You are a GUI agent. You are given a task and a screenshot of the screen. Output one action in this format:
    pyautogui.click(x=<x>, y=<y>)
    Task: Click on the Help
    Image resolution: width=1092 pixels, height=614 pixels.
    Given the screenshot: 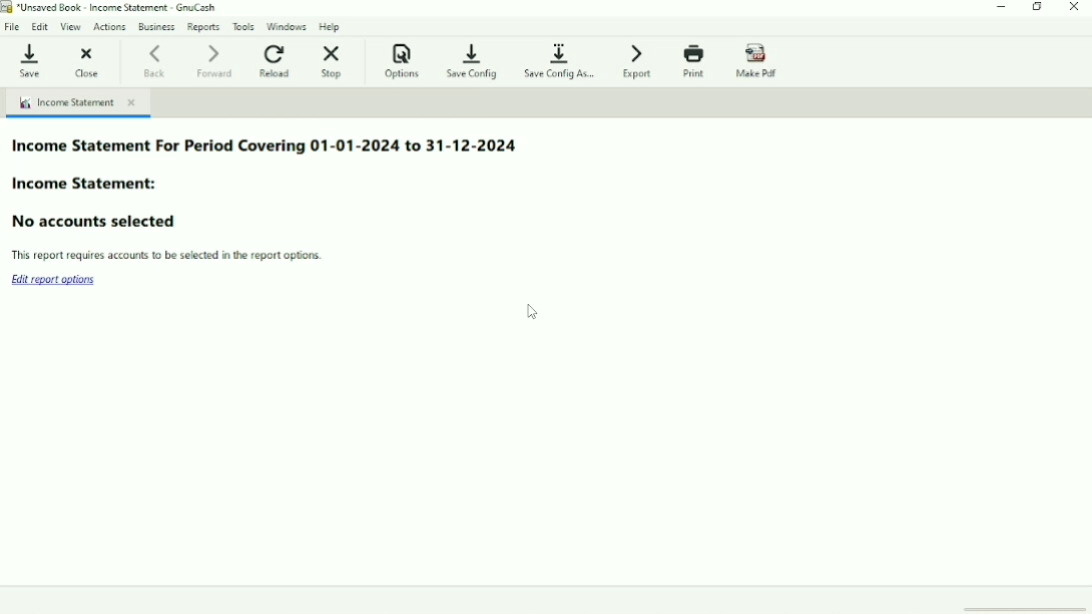 What is the action you would take?
    pyautogui.click(x=331, y=26)
    